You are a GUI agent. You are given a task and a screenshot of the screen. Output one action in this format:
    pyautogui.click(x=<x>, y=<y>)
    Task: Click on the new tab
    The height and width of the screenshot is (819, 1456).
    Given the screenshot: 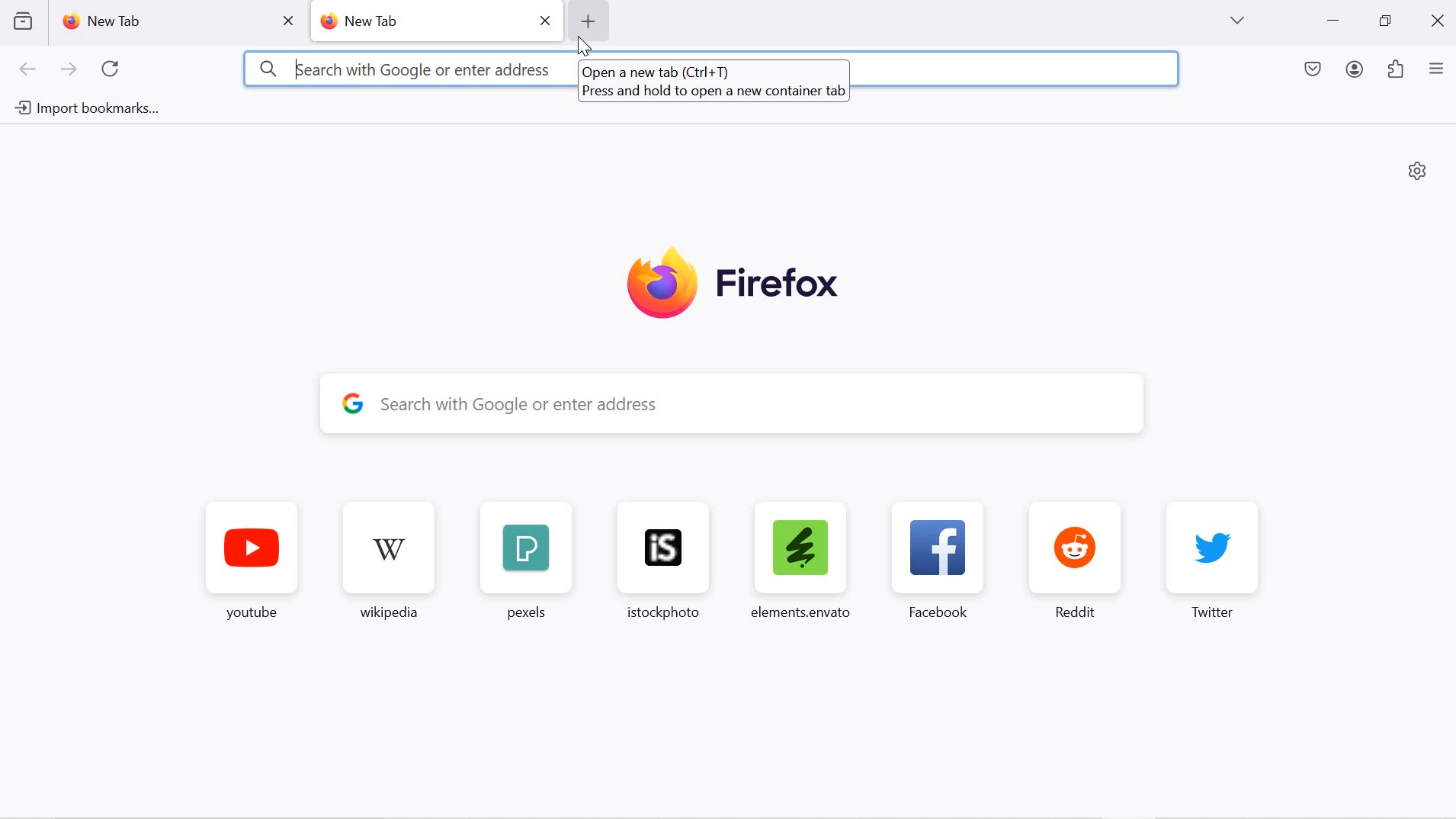 What is the action you would take?
    pyautogui.click(x=102, y=21)
    